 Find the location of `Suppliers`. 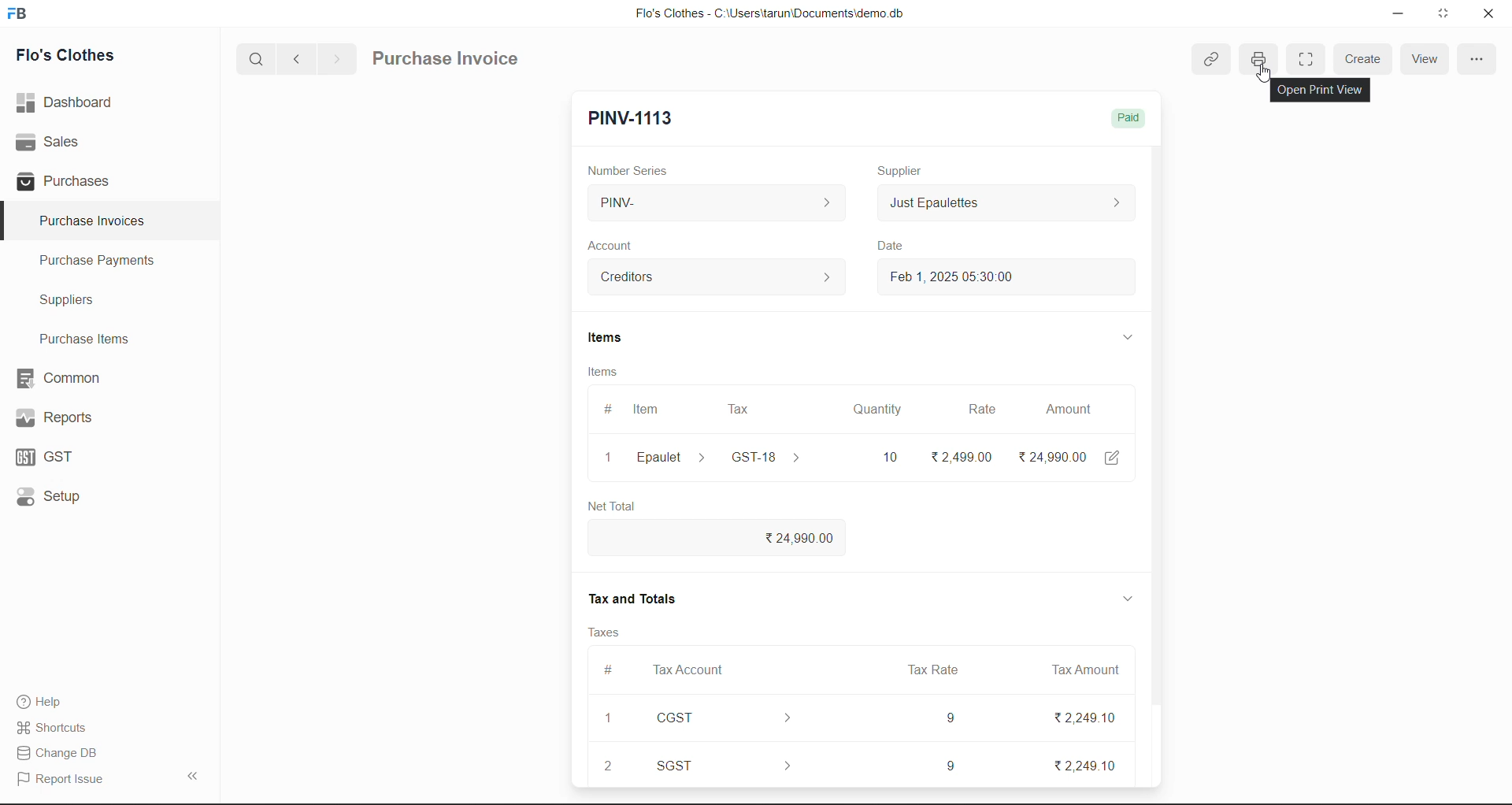

Suppliers is located at coordinates (76, 302).